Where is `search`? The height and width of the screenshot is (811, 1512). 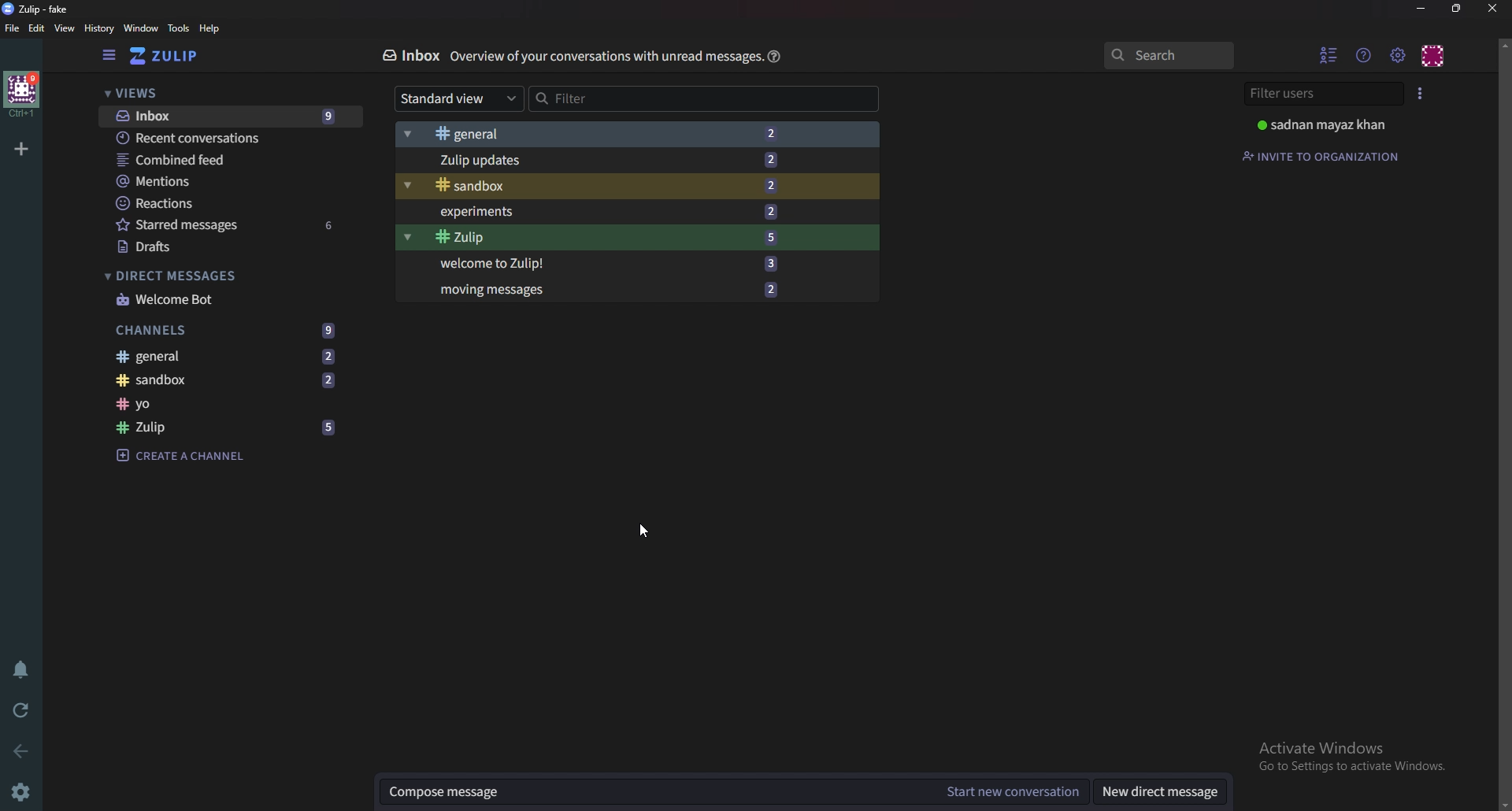 search is located at coordinates (1171, 55).